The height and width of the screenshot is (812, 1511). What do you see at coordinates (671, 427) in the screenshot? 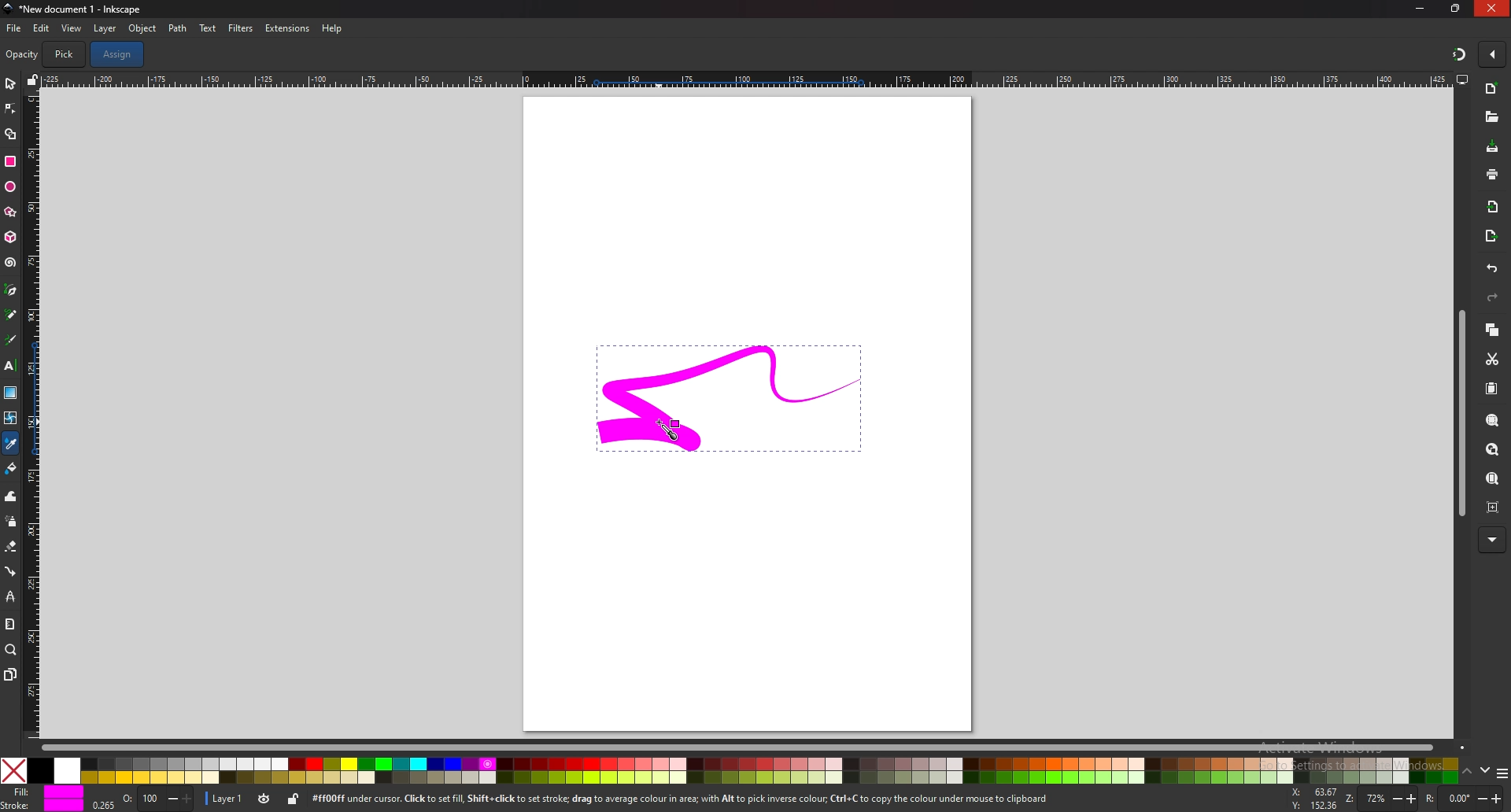
I see `cursor` at bounding box center [671, 427].